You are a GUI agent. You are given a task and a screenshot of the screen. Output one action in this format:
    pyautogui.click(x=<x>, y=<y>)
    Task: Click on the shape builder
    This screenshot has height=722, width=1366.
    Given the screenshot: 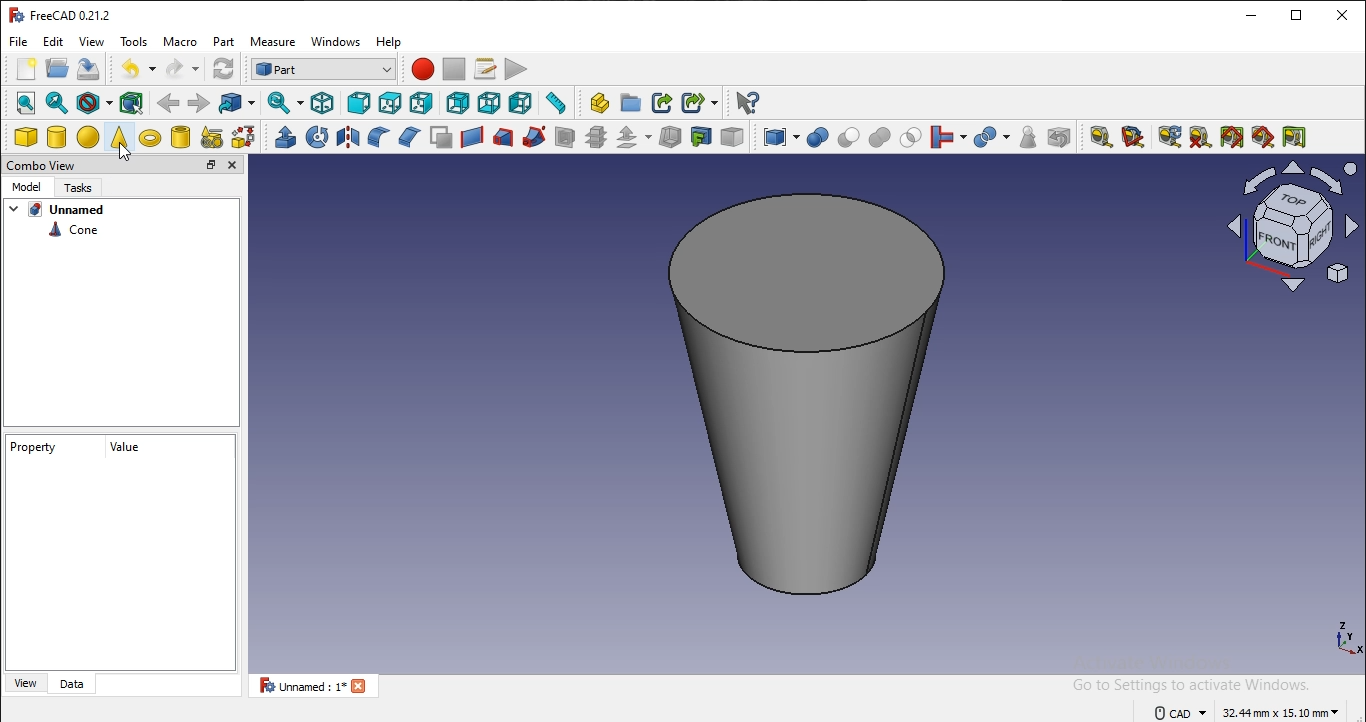 What is the action you would take?
    pyautogui.click(x=212, y=138)
    